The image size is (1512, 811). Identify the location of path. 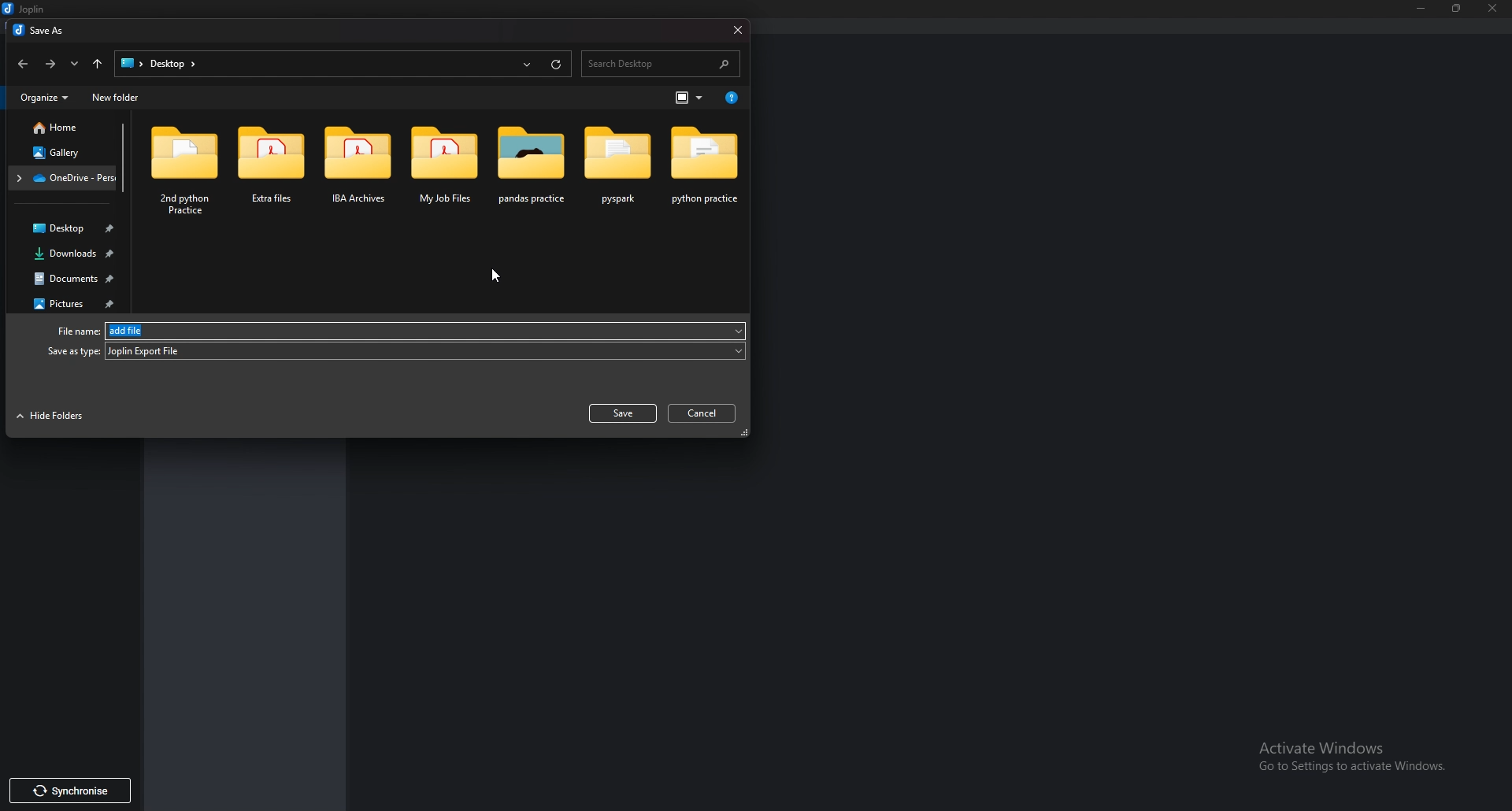
(161, 62).